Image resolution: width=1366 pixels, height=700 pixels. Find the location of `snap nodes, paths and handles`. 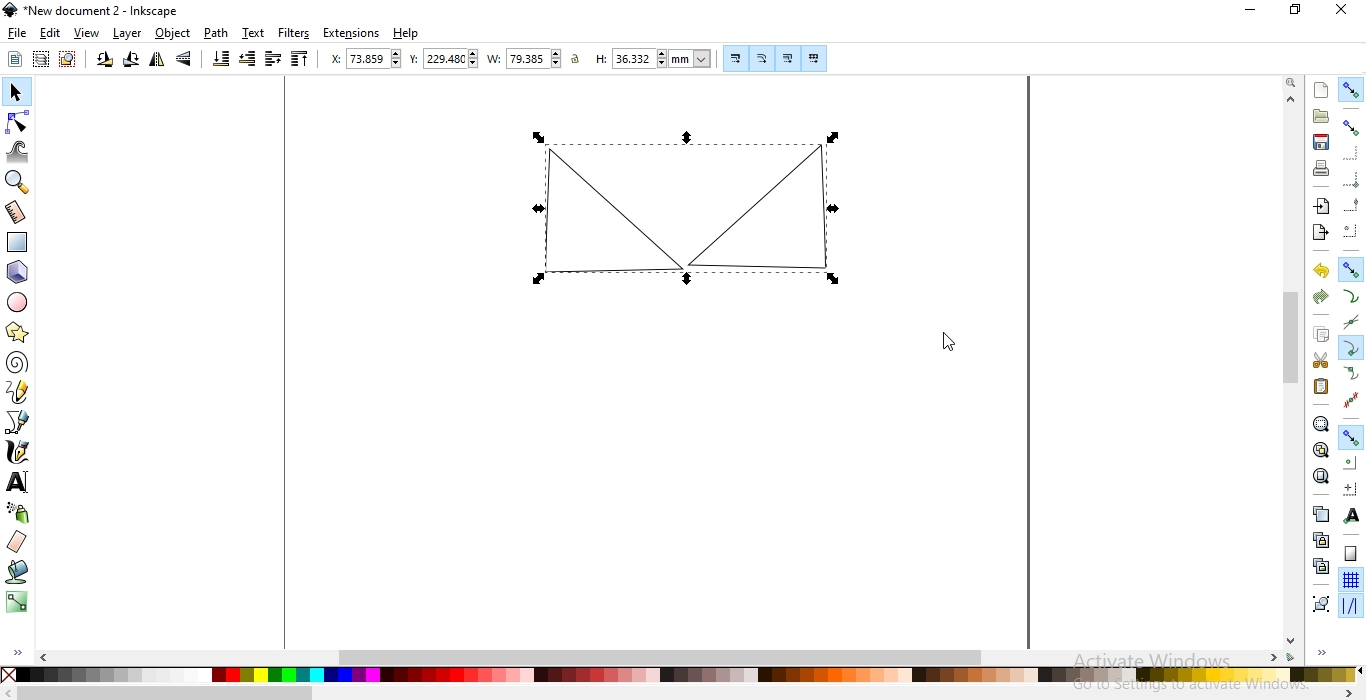

snap nodes, paths and handles is located at coordinates (1351, 271).